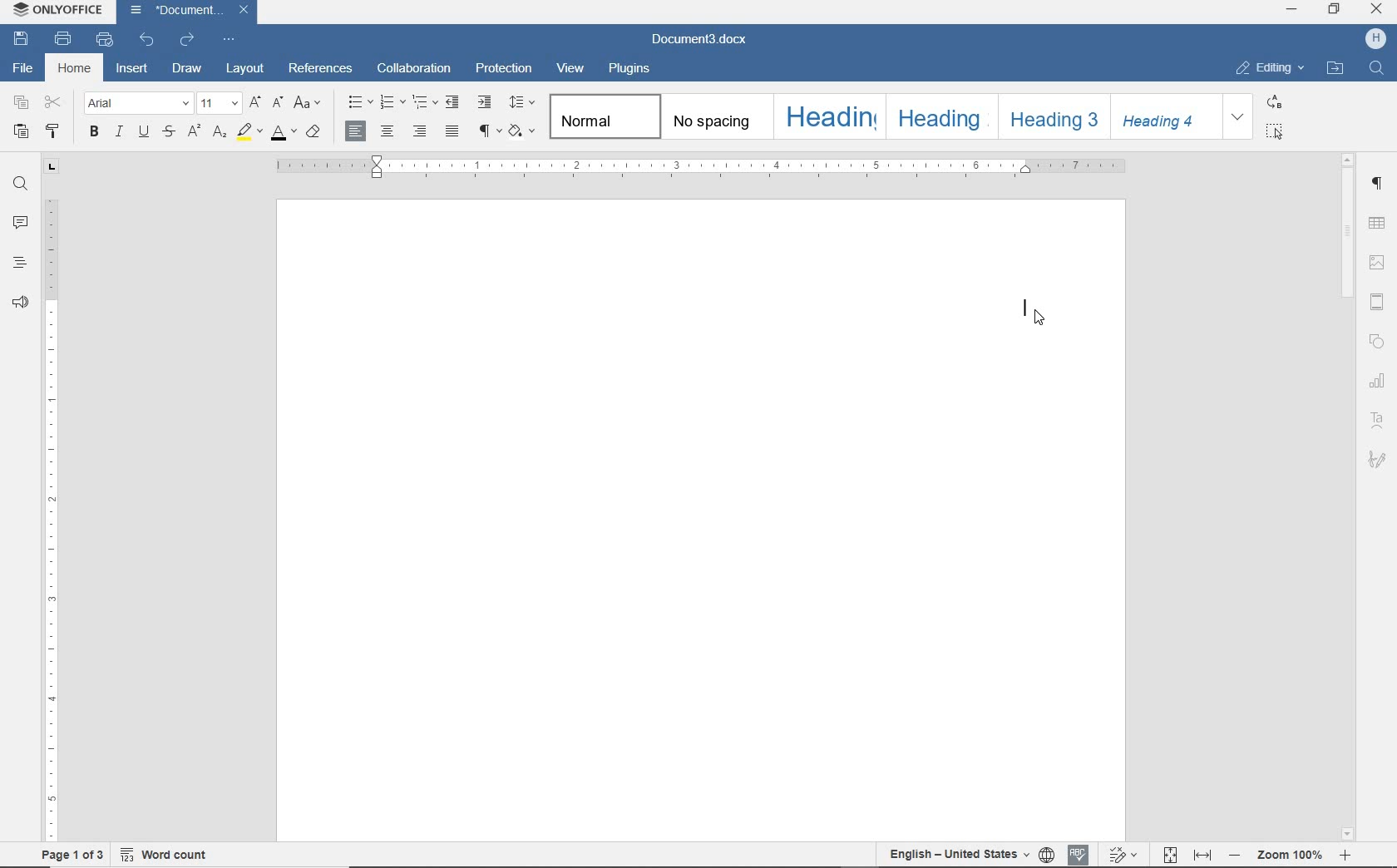 The image size is (1397, 868). What do you see at coordinates (1378, 184) in the screenshot?
I see `PARAGRAPH SETTINGS` at bounding box center [1378, 184].